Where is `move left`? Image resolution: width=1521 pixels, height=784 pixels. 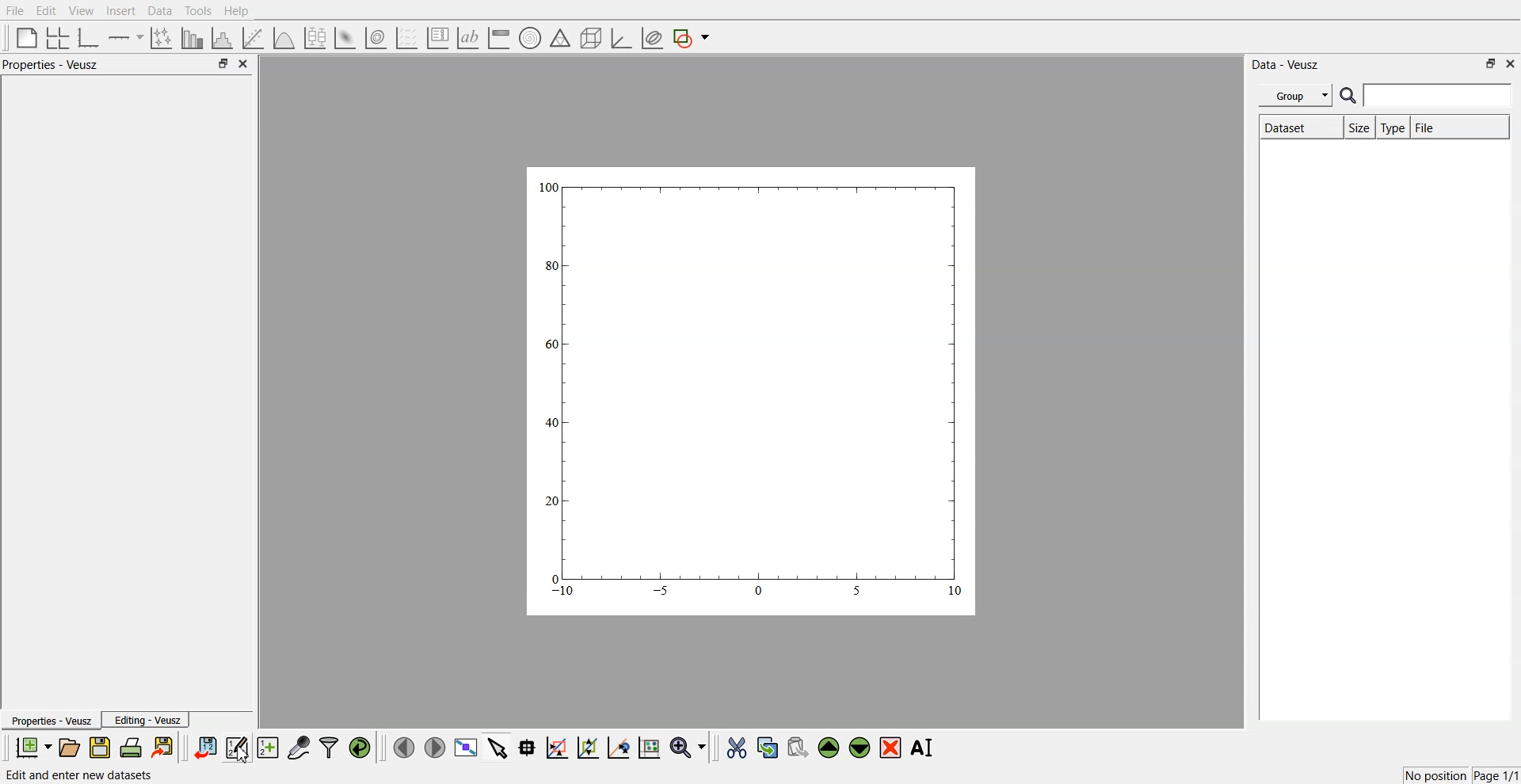 move left is located at coordinates (404, 747).